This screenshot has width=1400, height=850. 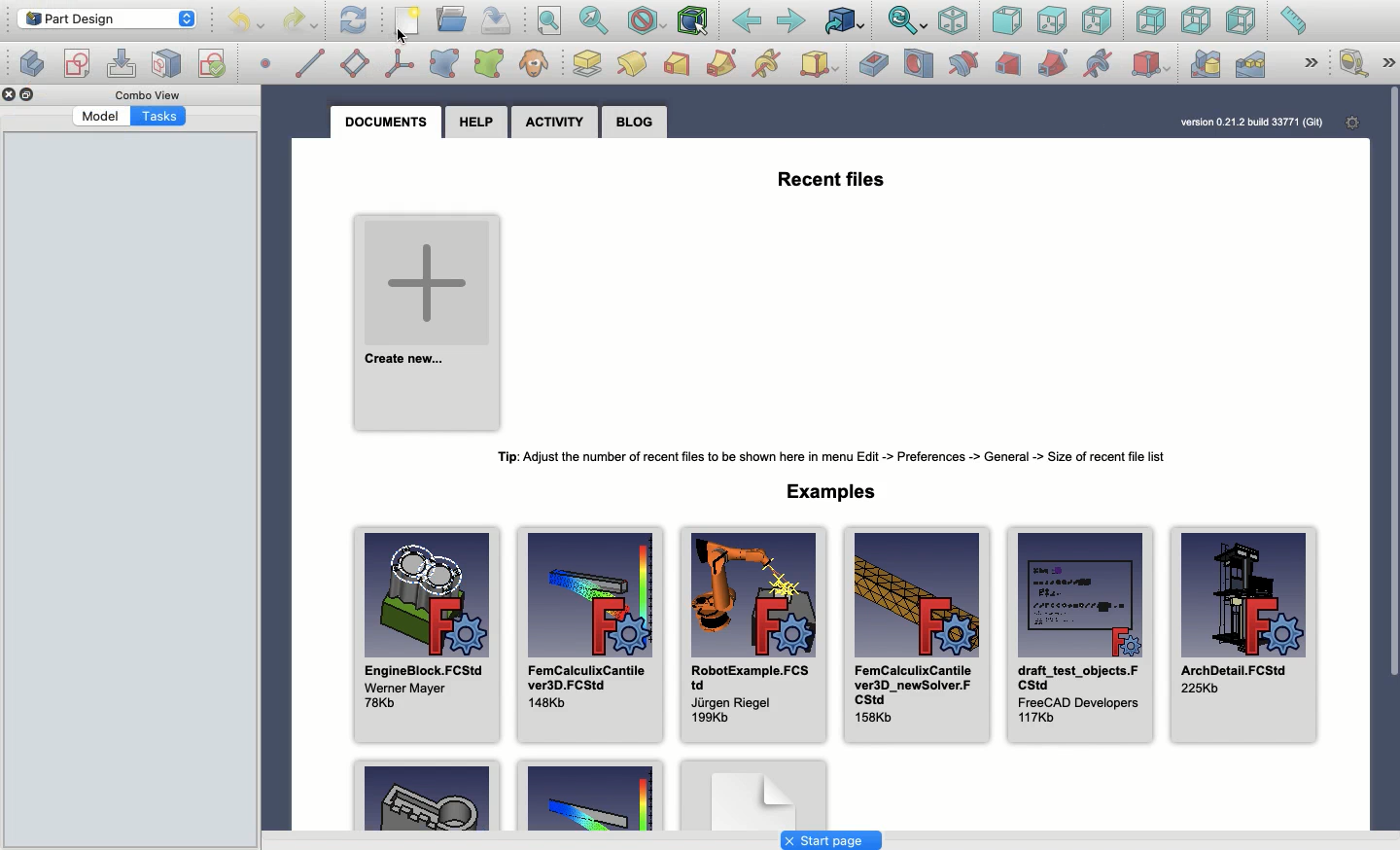 I want to click on Hole, so click(x=919, y=64).